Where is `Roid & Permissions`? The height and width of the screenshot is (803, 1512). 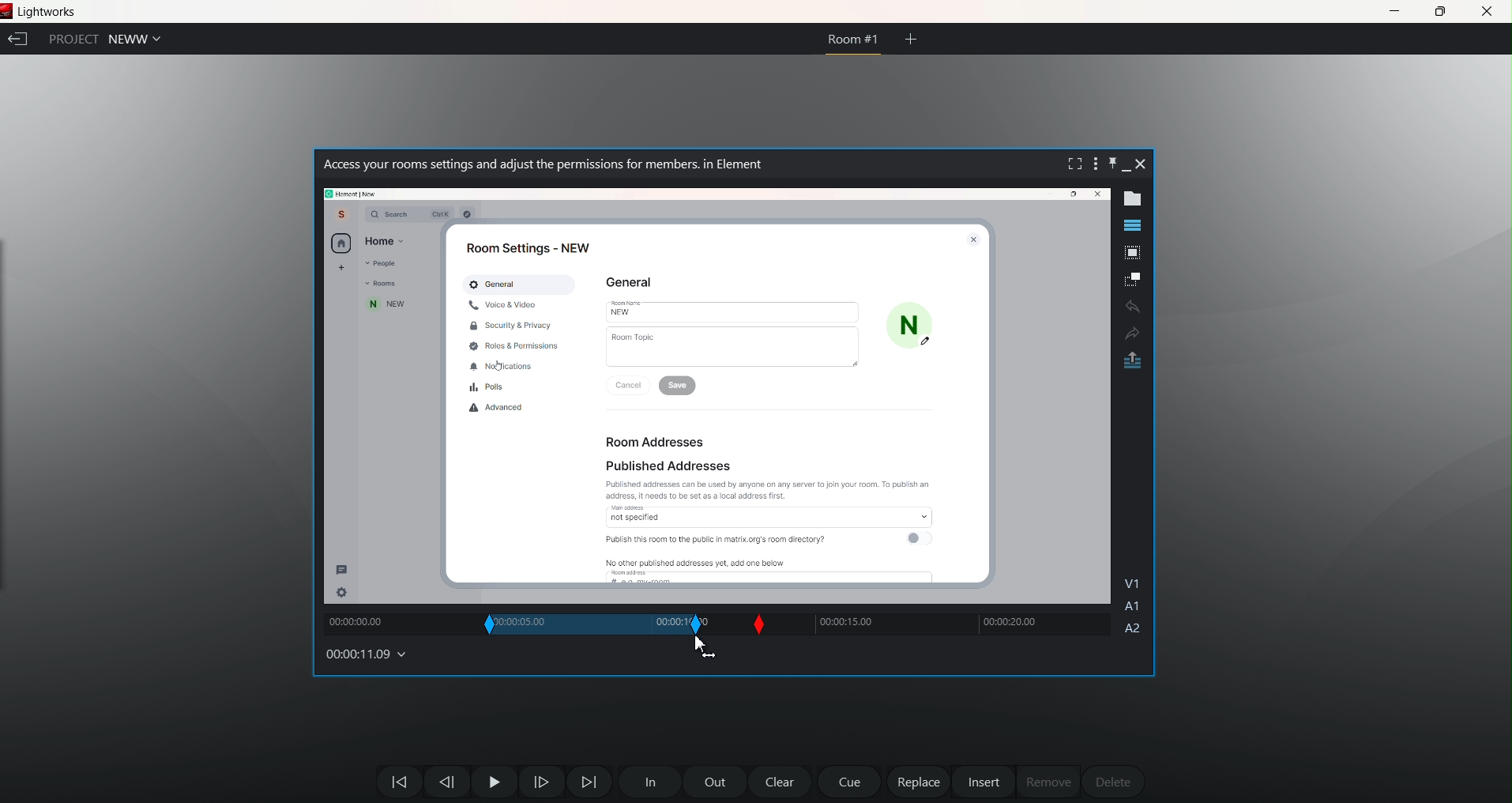 Roid & Permissions is located at coordinates (517, 345).